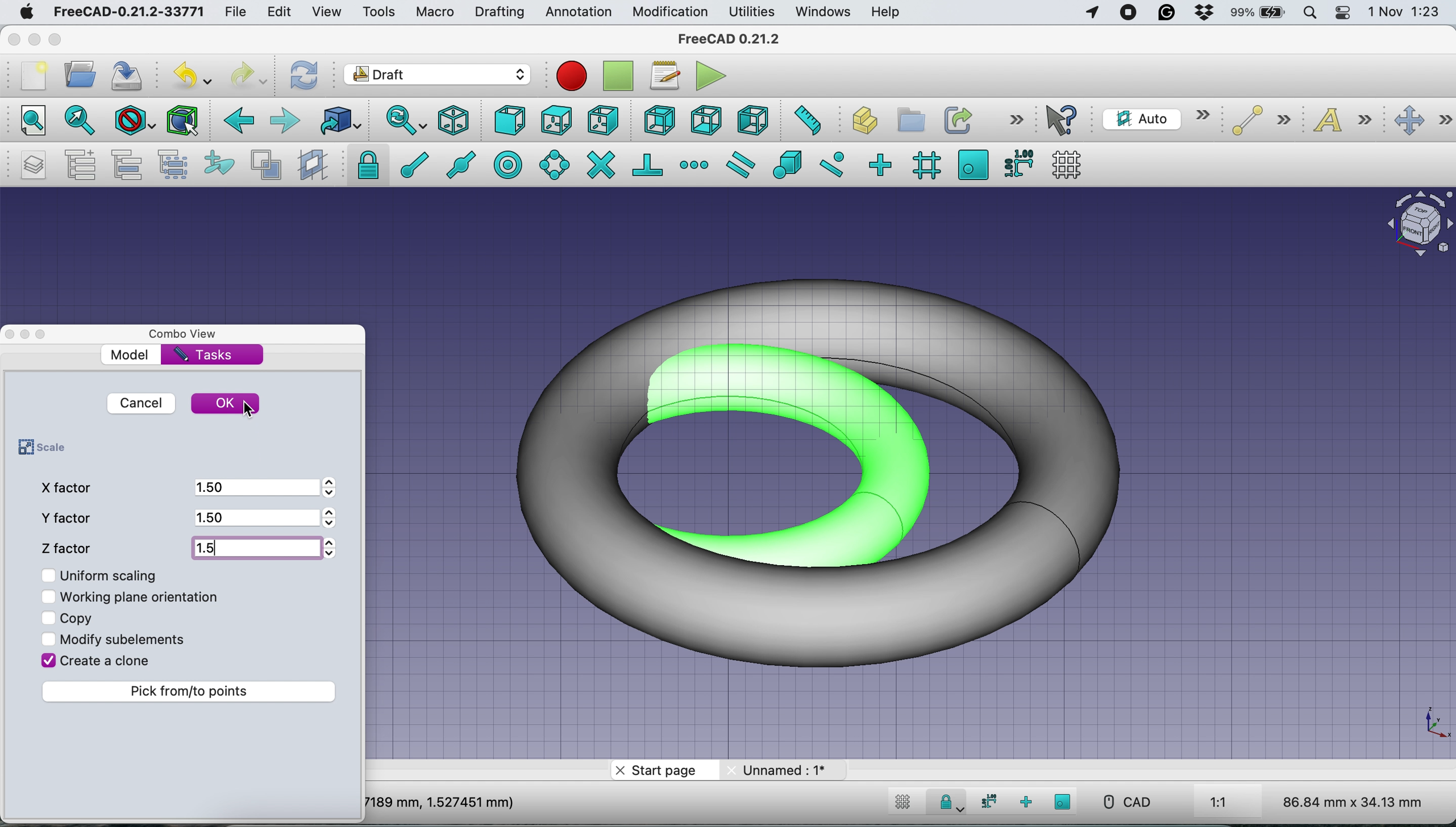 The width and height of the screenshot is (1456, 827). I want to click on redo, so click(248, 76).